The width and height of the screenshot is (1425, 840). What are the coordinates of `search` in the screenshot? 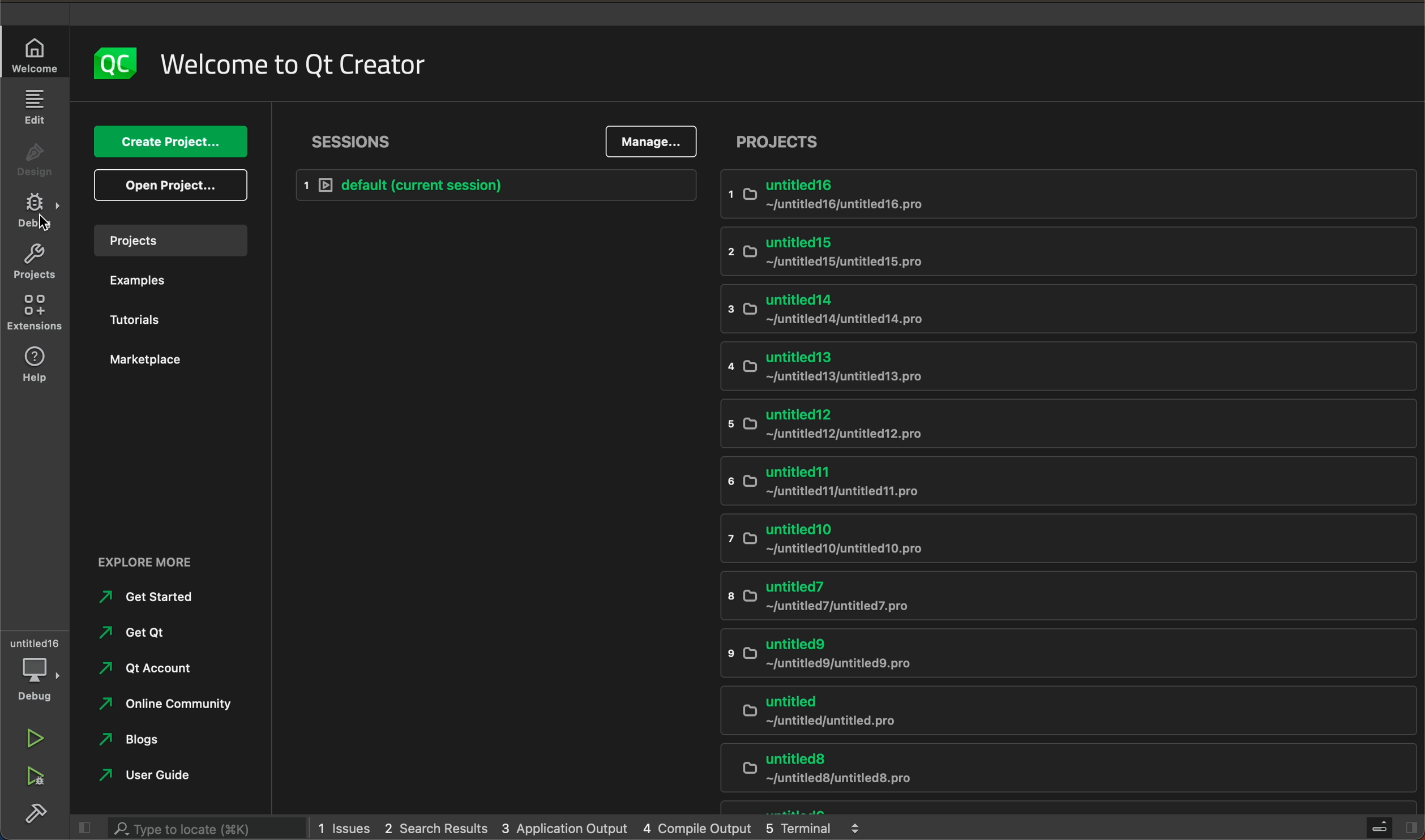 It's located at (194, 828).